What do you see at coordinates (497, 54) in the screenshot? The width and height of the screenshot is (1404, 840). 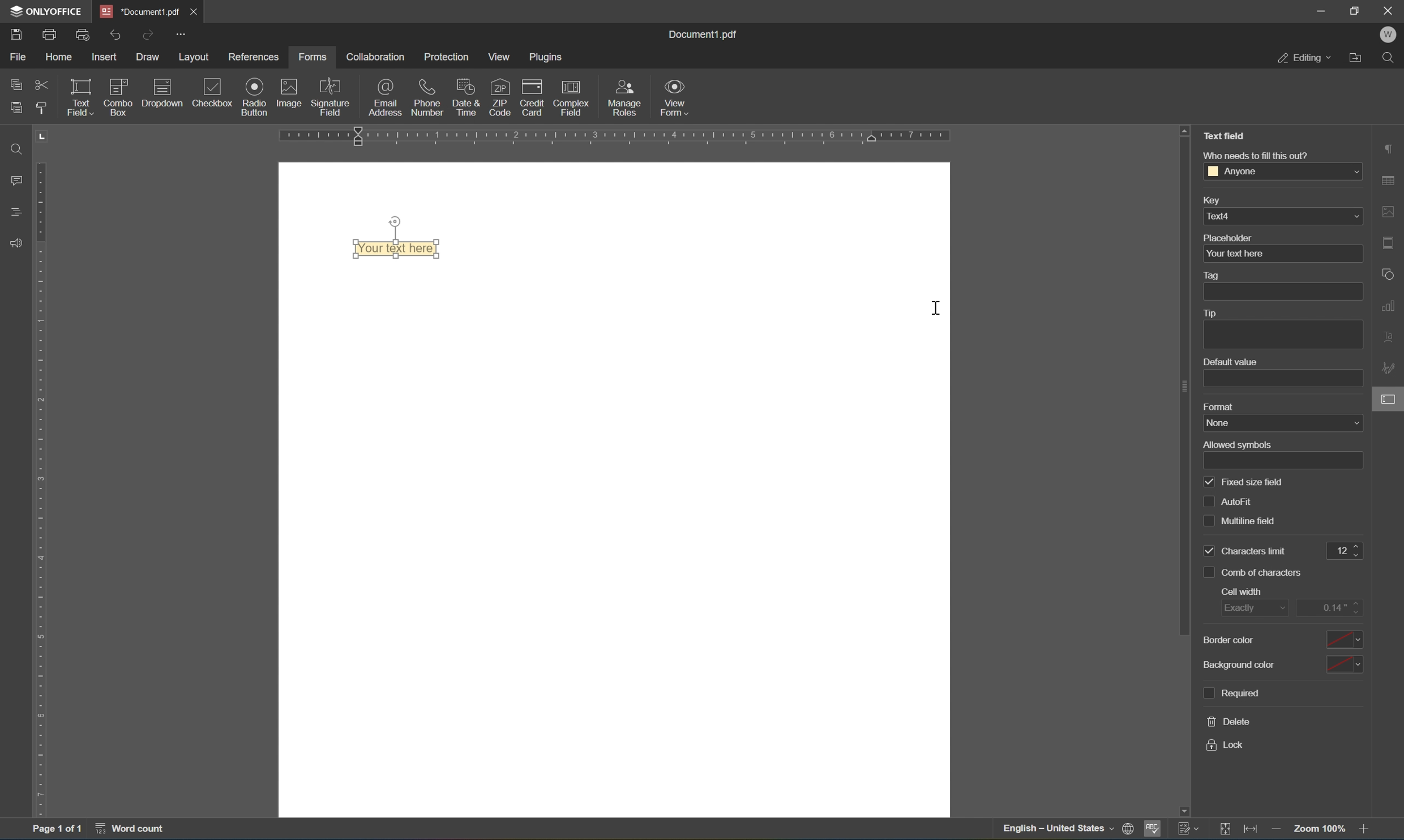 I see `view` at bounding box center [497, 54].